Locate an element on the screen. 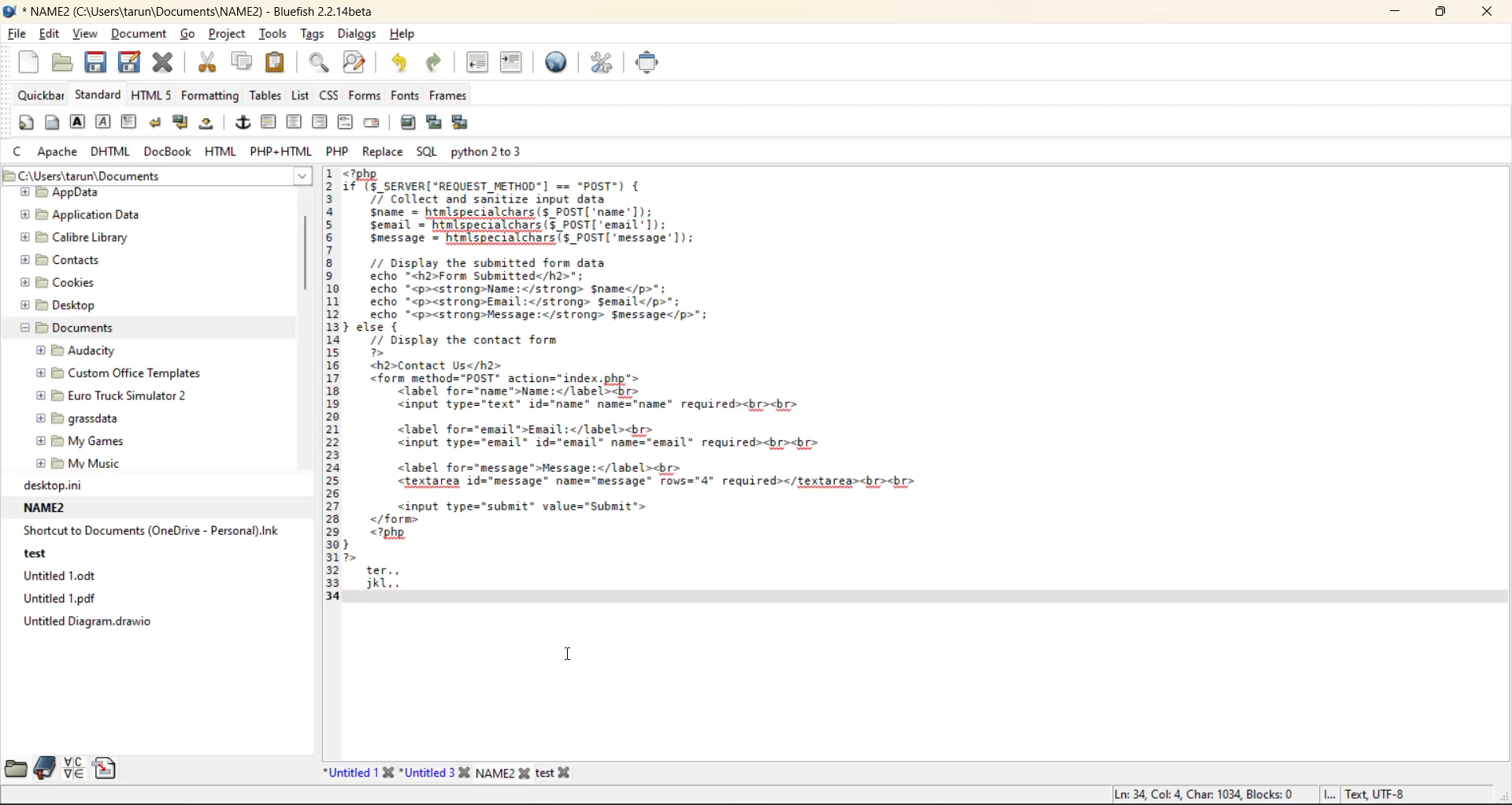 The height and width of the screenshot is (805, 1512). quickbar is located at coordinates (43, 95).